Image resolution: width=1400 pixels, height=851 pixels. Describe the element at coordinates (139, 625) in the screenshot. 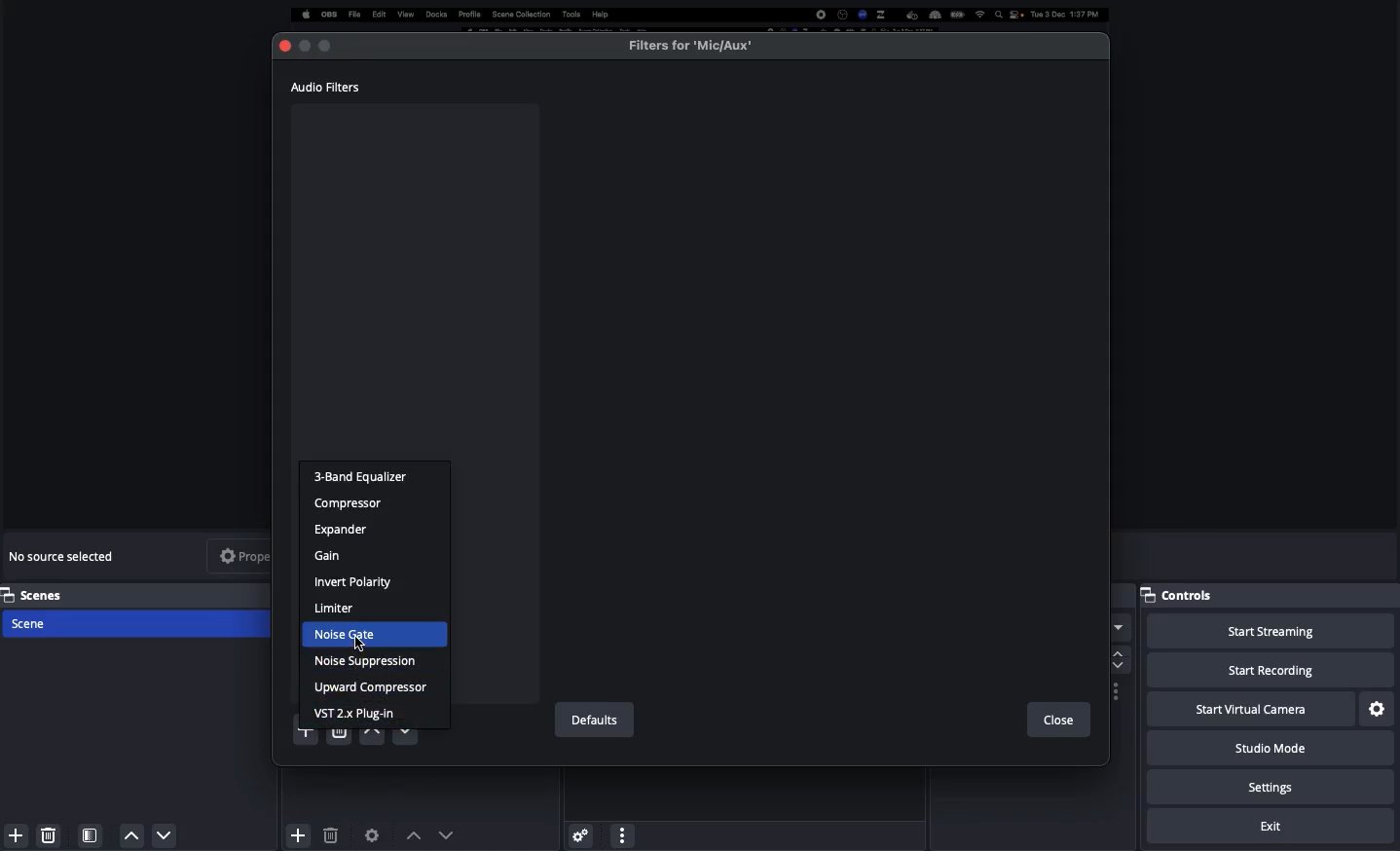

I see `Scene` at that location.